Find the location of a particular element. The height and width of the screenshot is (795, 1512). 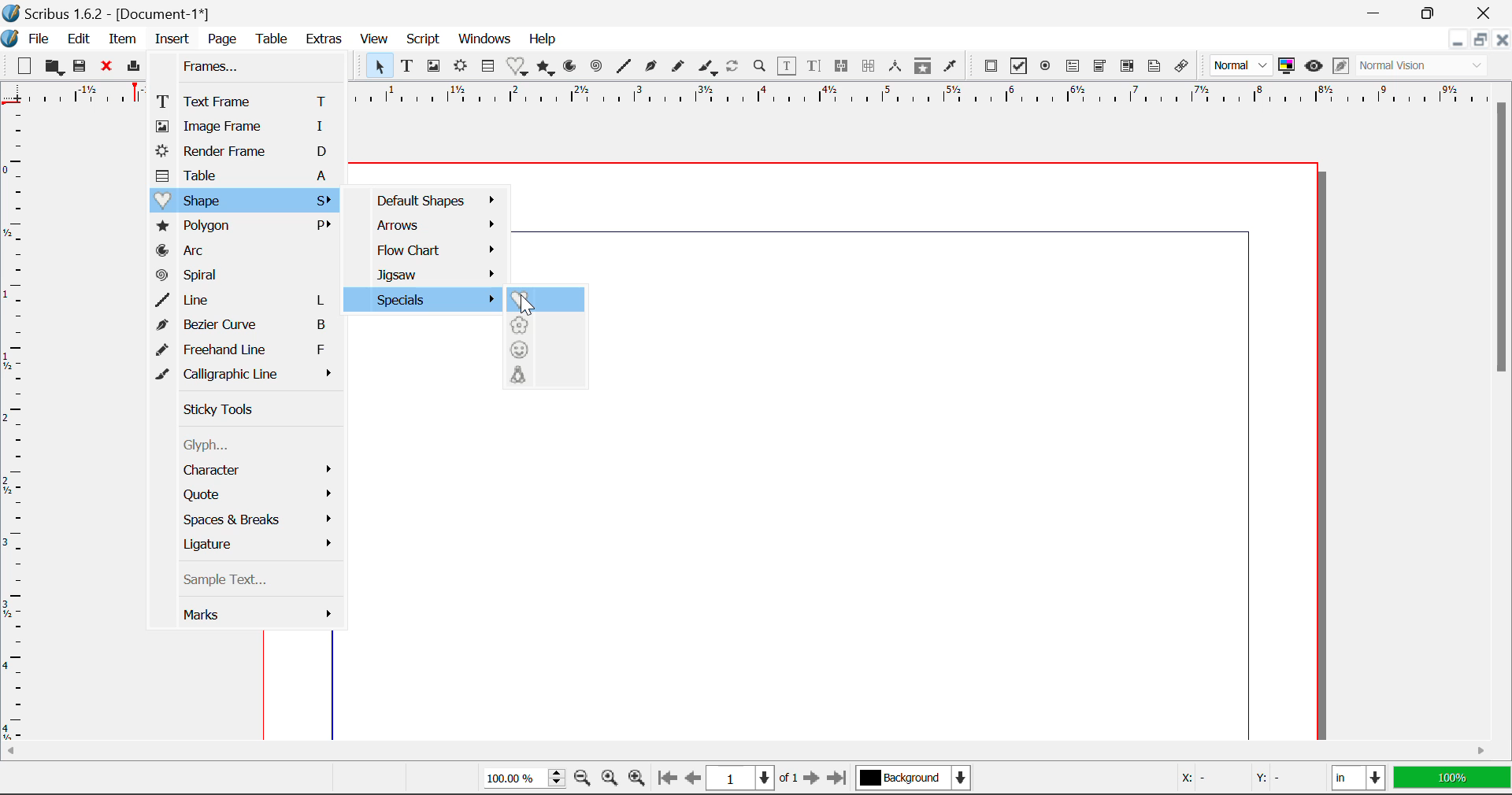

First Page is located at coordinates (667, 778).